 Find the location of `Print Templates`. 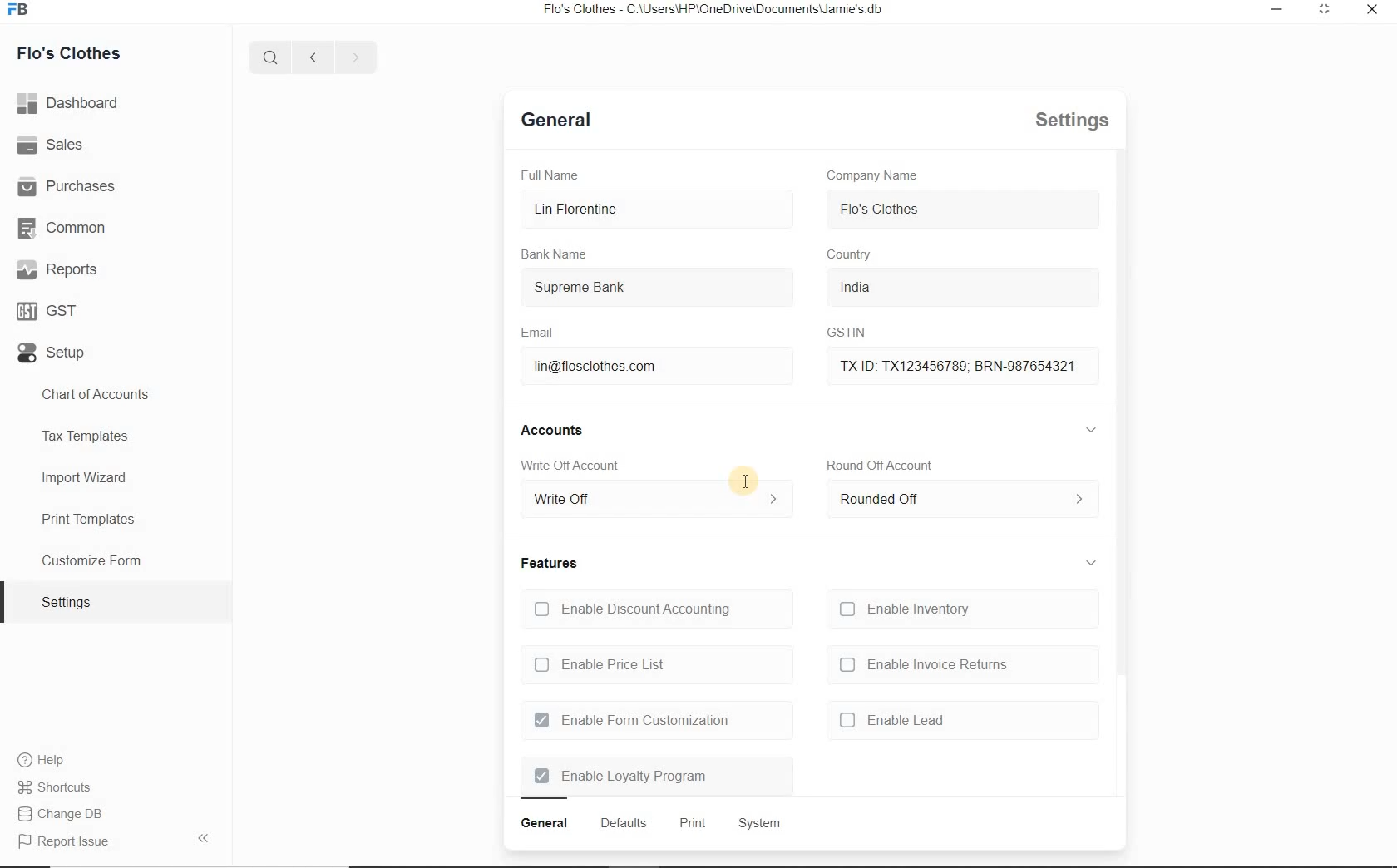

Print Templates is located at coordinates (86, 518).